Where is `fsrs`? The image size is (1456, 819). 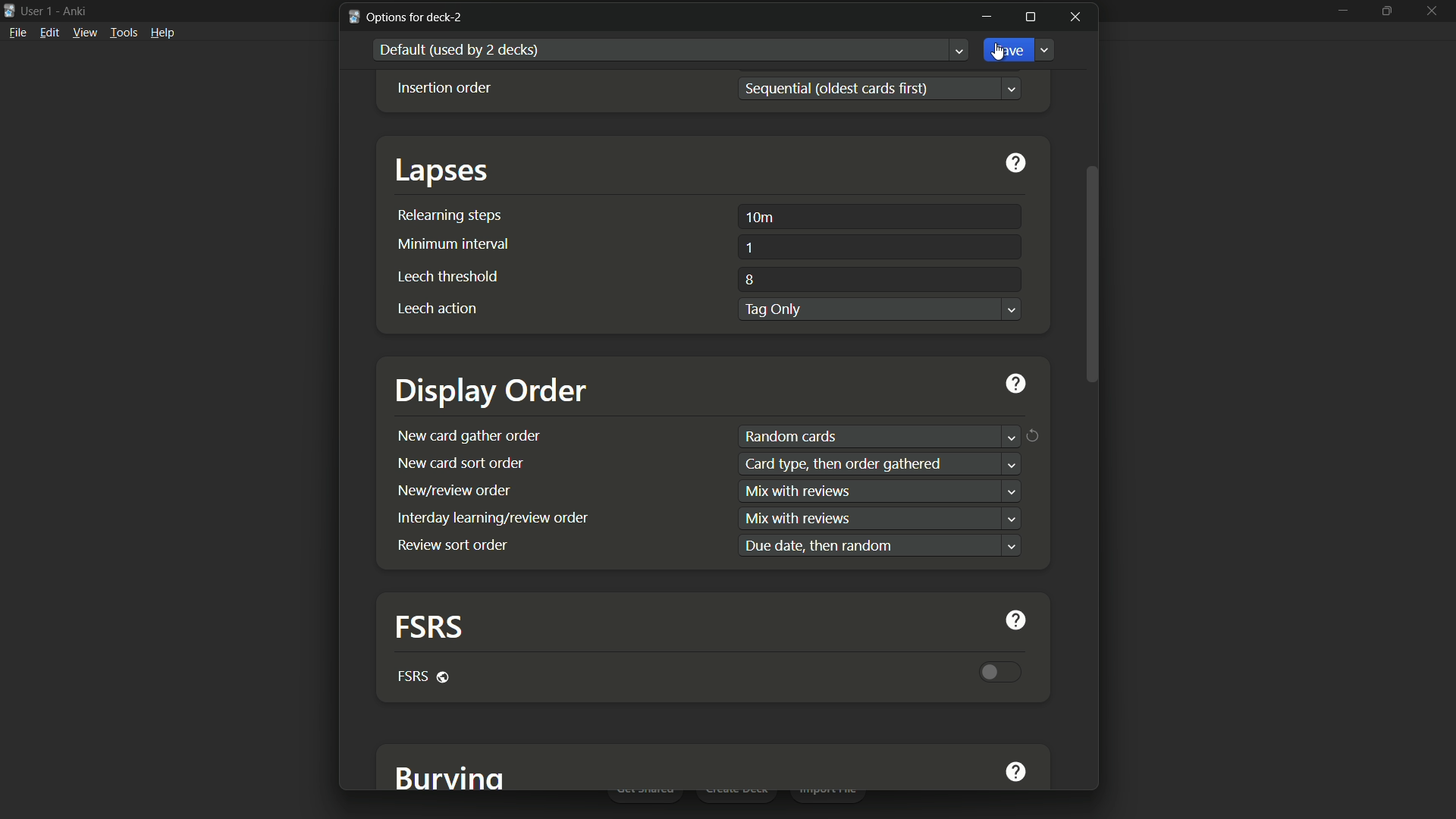
fsrs is located at coordinates (422, 677).